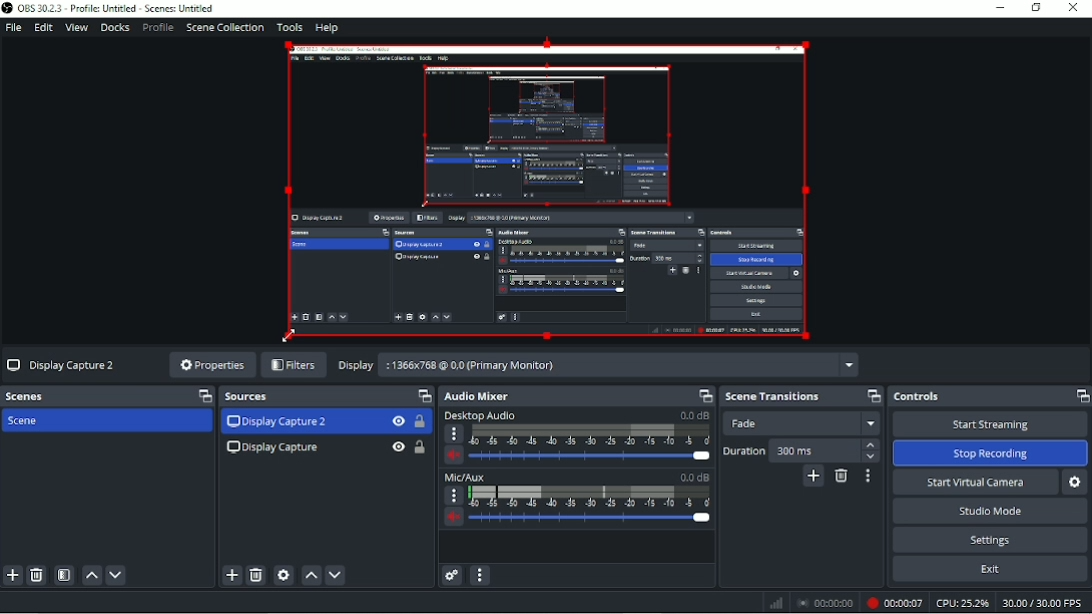 This screenshot has height=614, width=1092. Describe the element at coordinates (287, 335) in the screenshot. I see `Cursor` at that location.